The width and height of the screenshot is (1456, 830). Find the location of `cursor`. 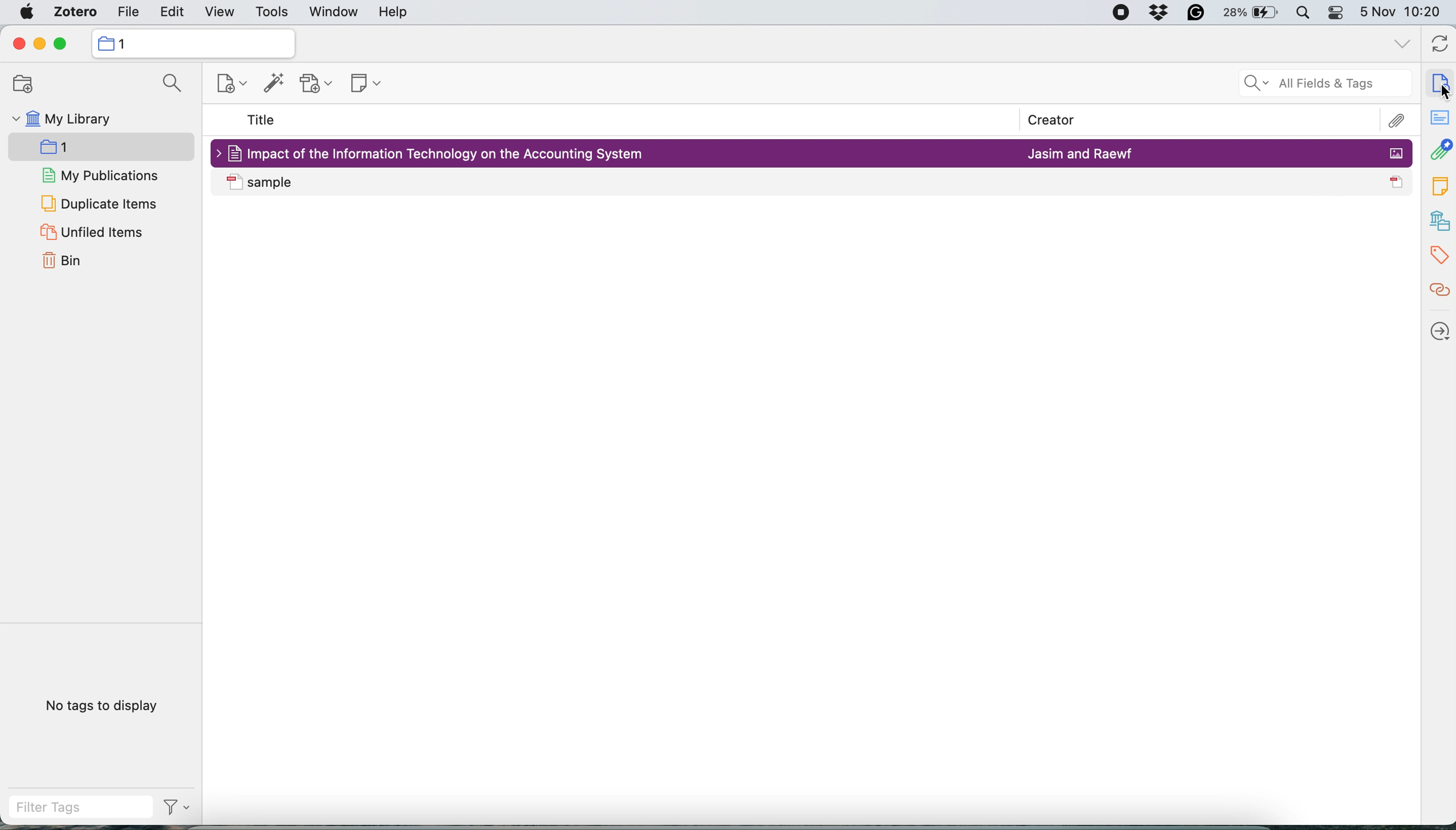

cursor is located at coordinates (1443, 92).